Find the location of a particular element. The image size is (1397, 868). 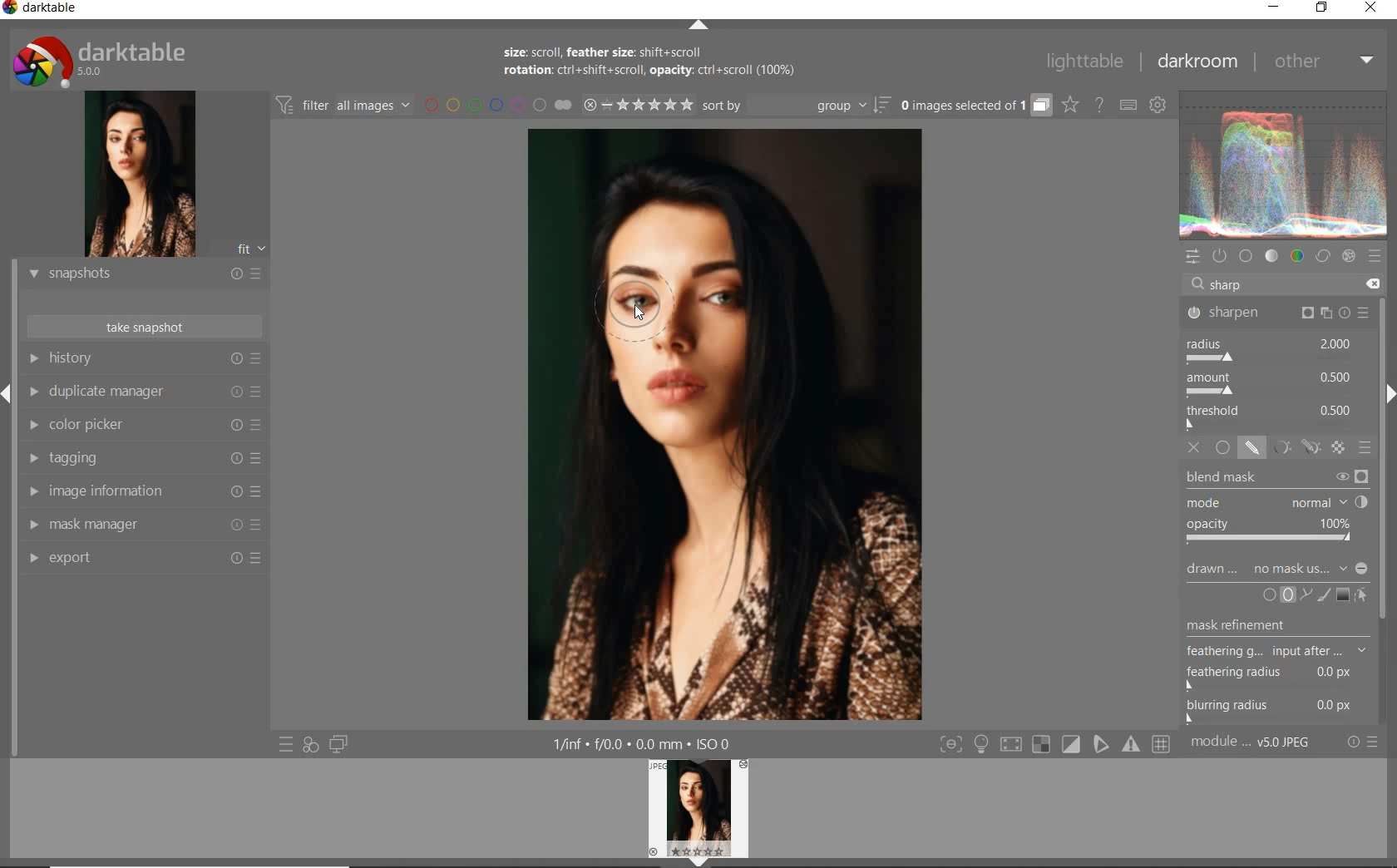

color picker is located at coordinates (144, 425).